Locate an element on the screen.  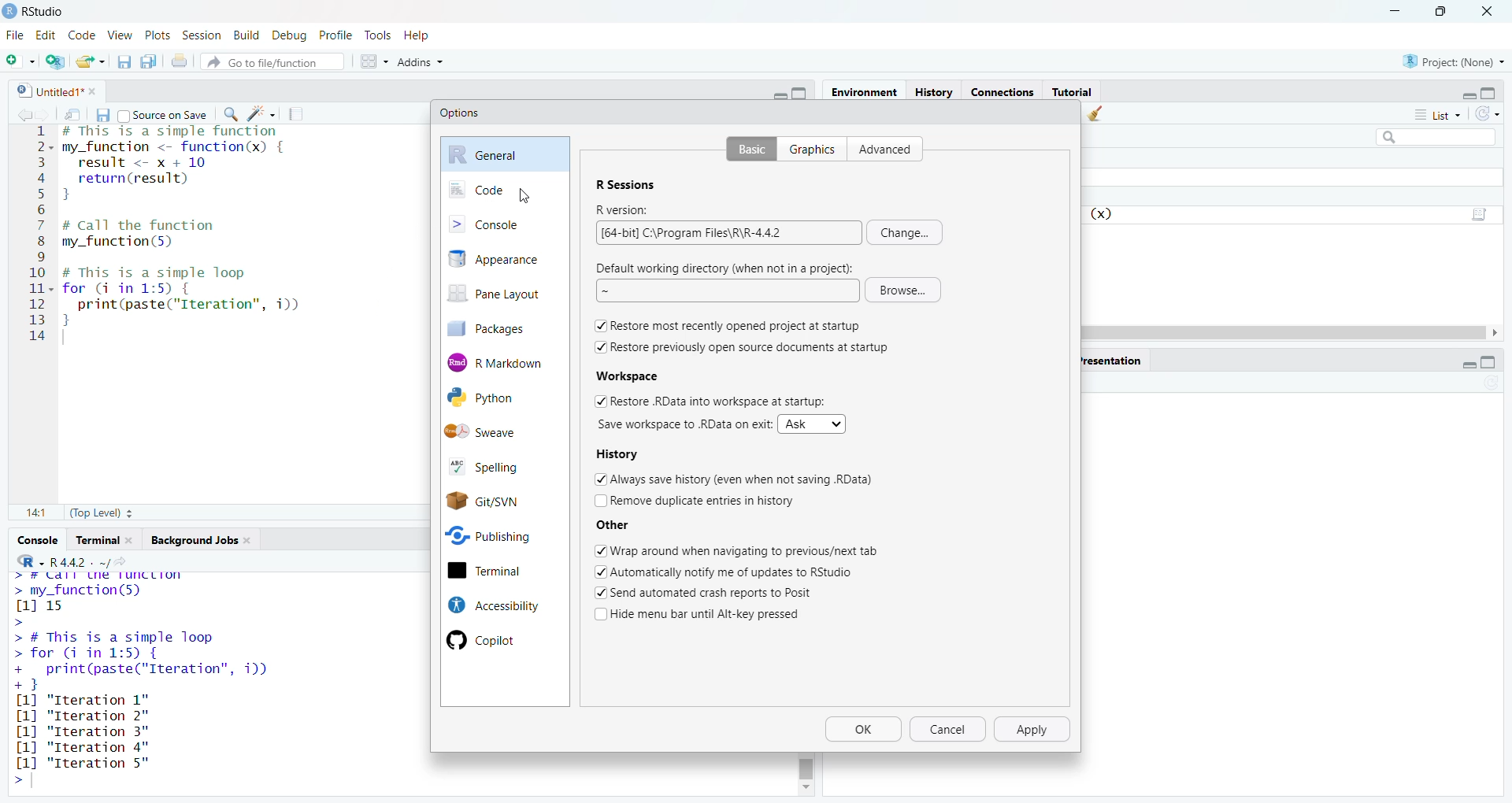
Sweave is located at coordinates (506, 431).